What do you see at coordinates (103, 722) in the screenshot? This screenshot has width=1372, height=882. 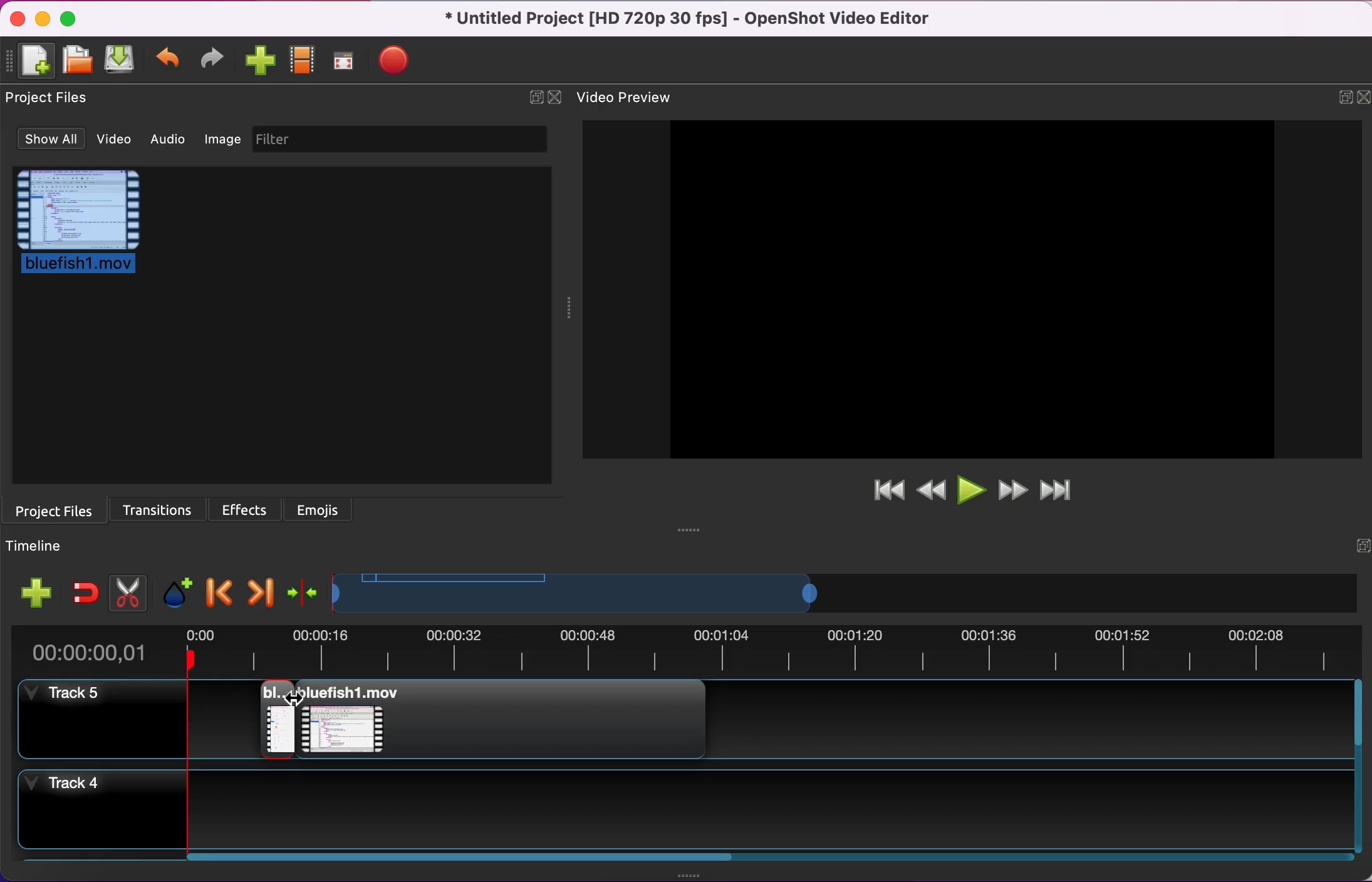 I see `track 5` at bounding box center [103, 722].